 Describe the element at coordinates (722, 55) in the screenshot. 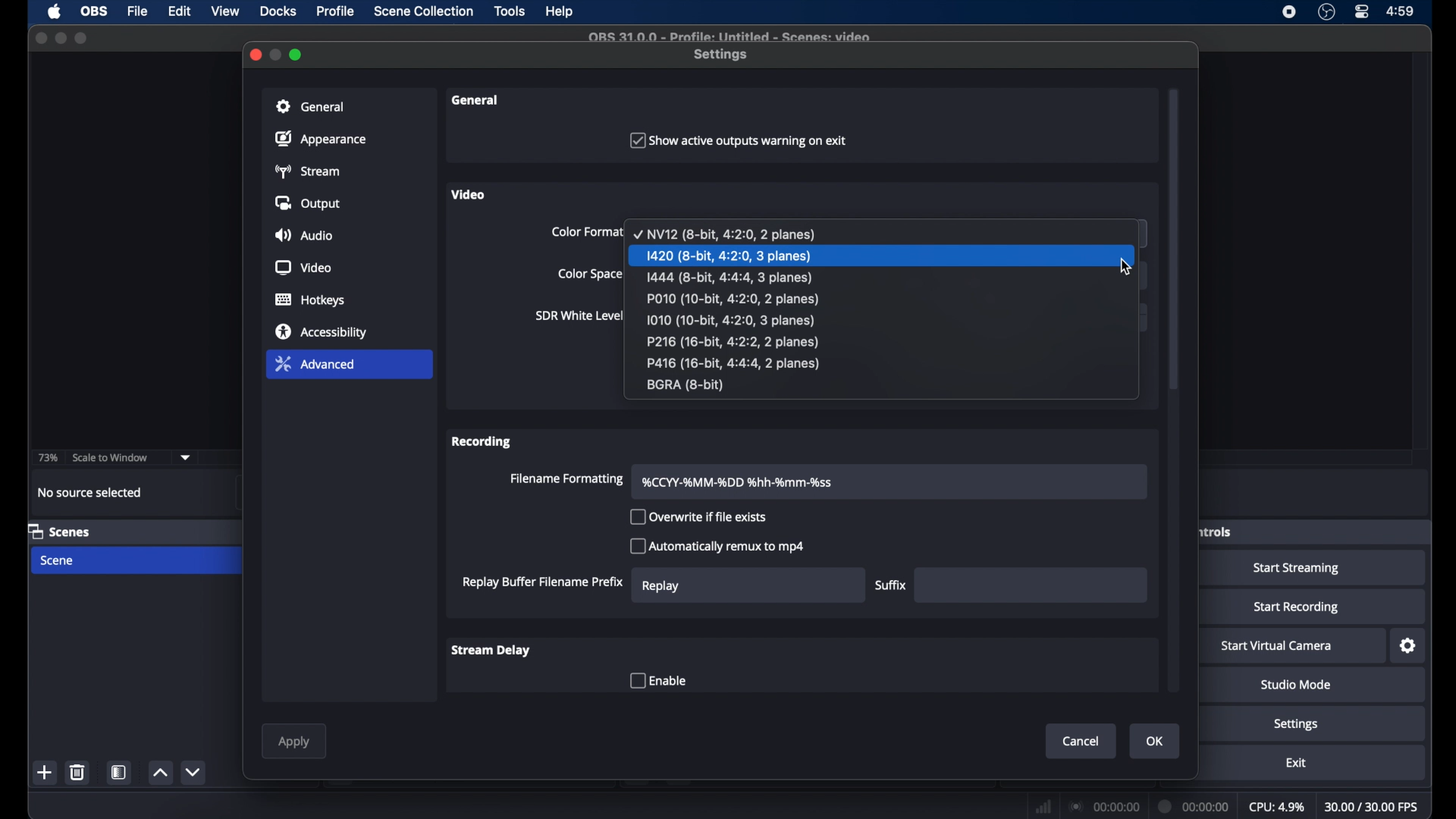

I see `settings` at that location.